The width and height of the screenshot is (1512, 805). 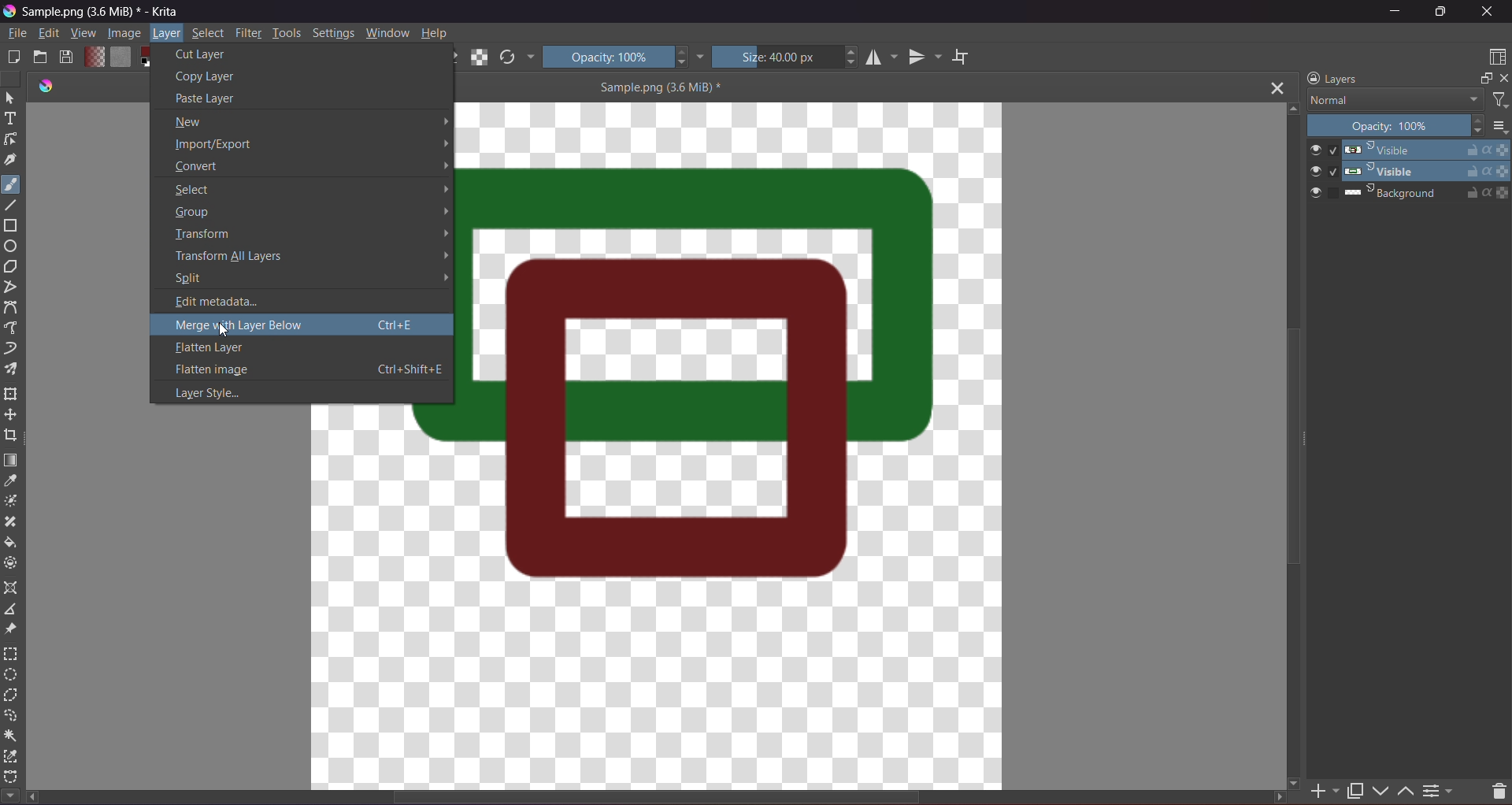 I want to click on Fill Gradient, so click(x=92, y=56).